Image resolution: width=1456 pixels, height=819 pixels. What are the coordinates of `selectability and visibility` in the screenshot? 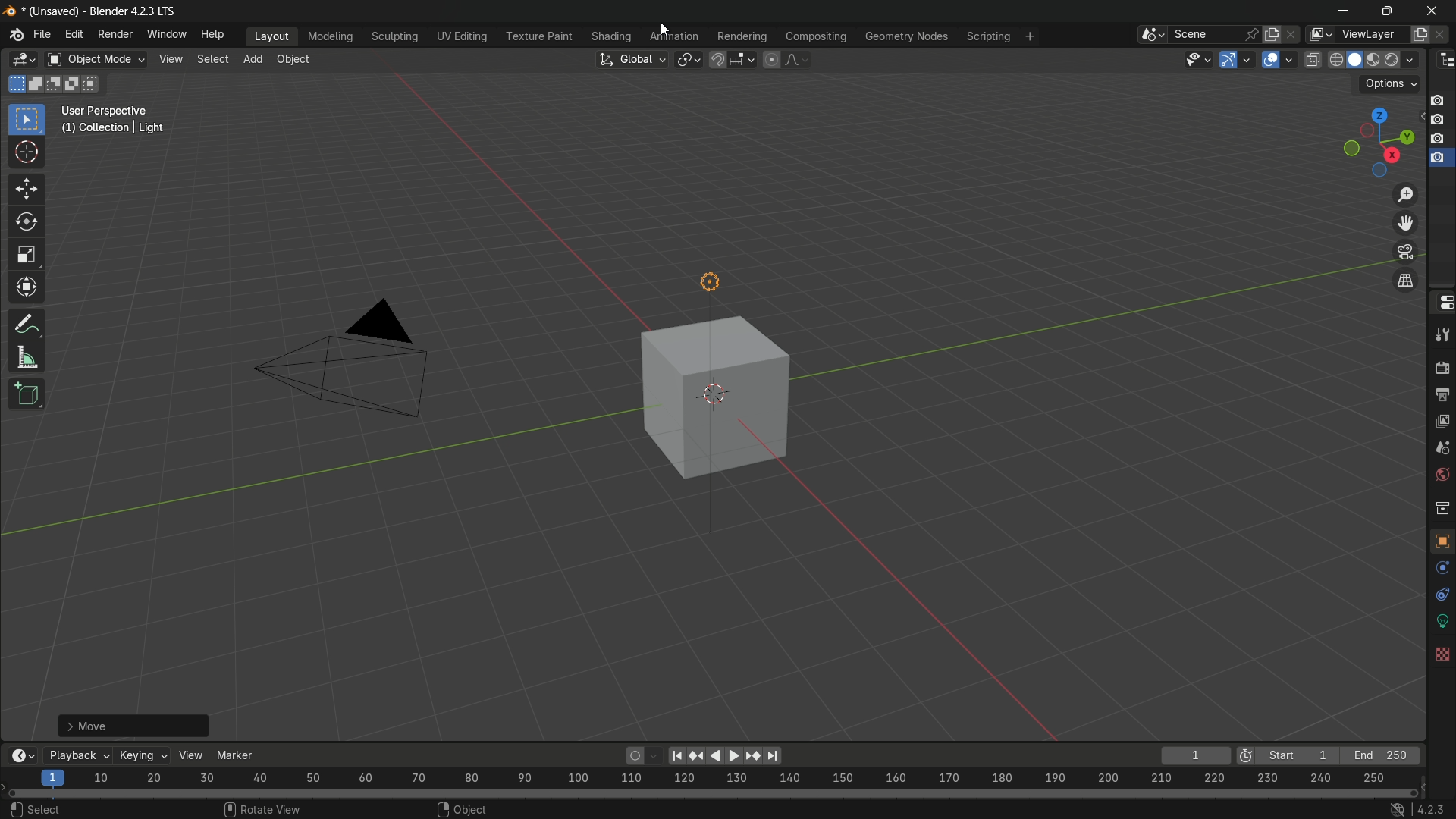 It's located at (1198, 58).